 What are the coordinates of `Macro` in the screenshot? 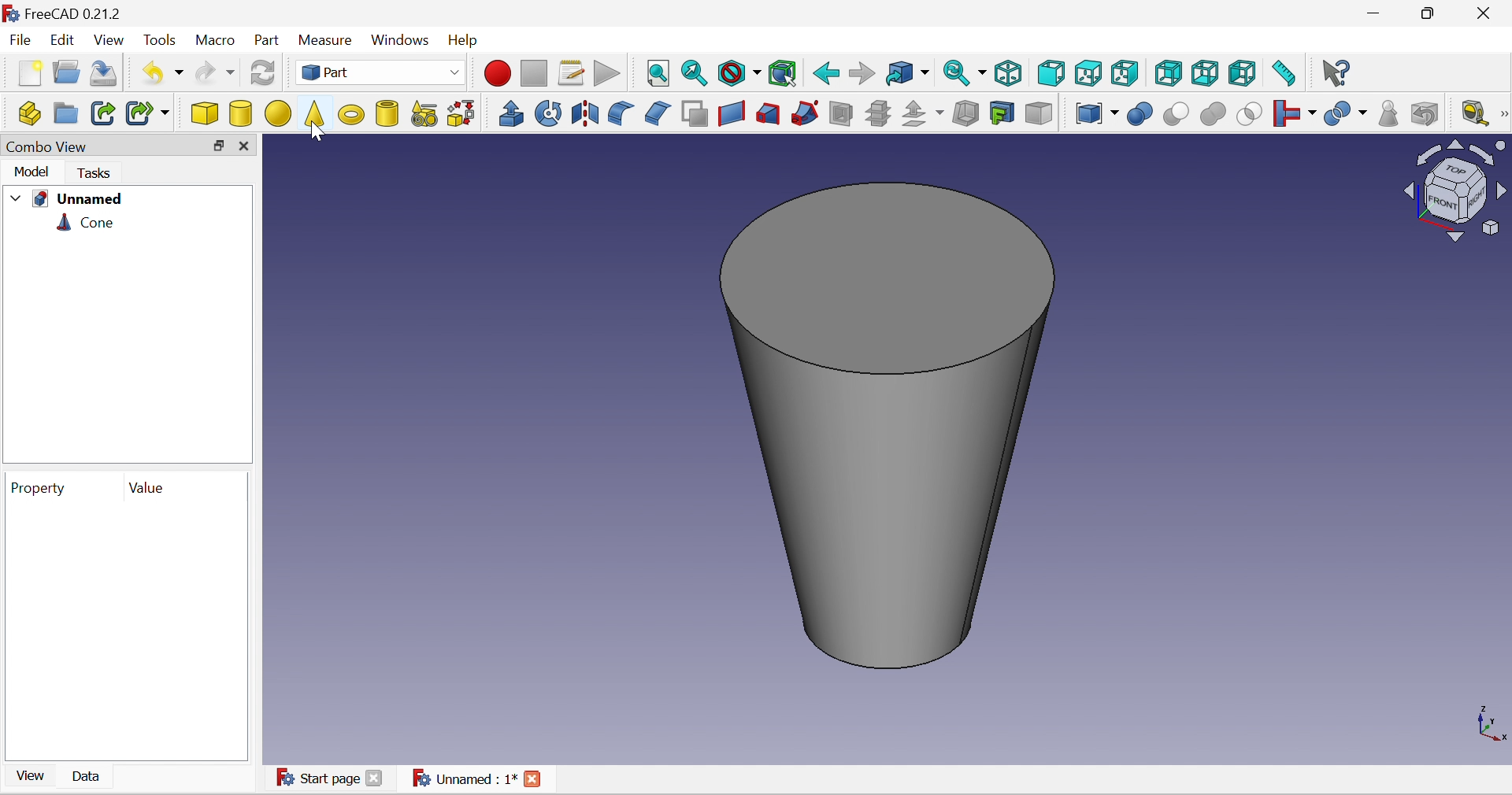 It's located at (217, 41).